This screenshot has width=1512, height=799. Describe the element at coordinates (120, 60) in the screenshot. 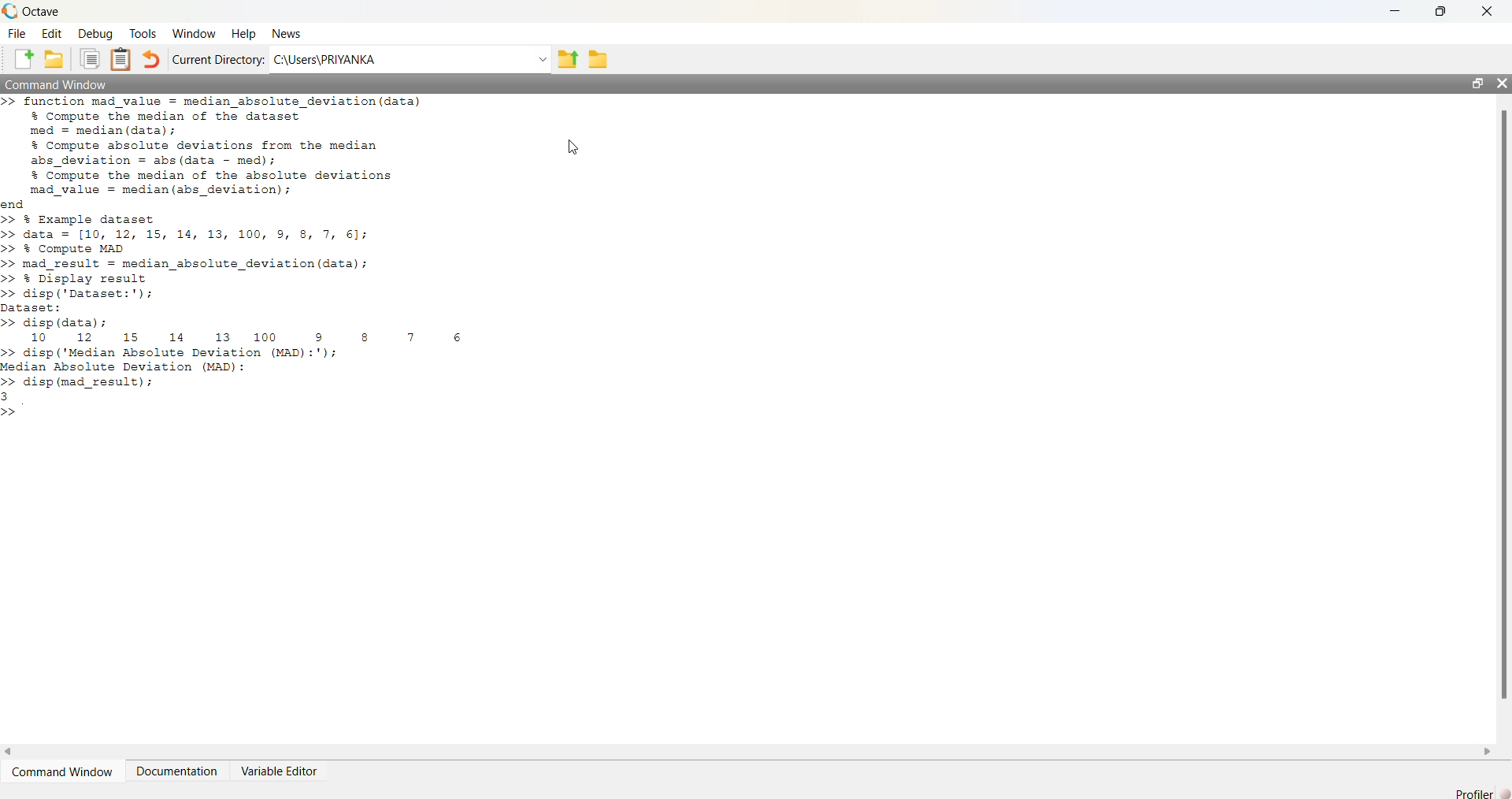

I see `Paste` at that location.